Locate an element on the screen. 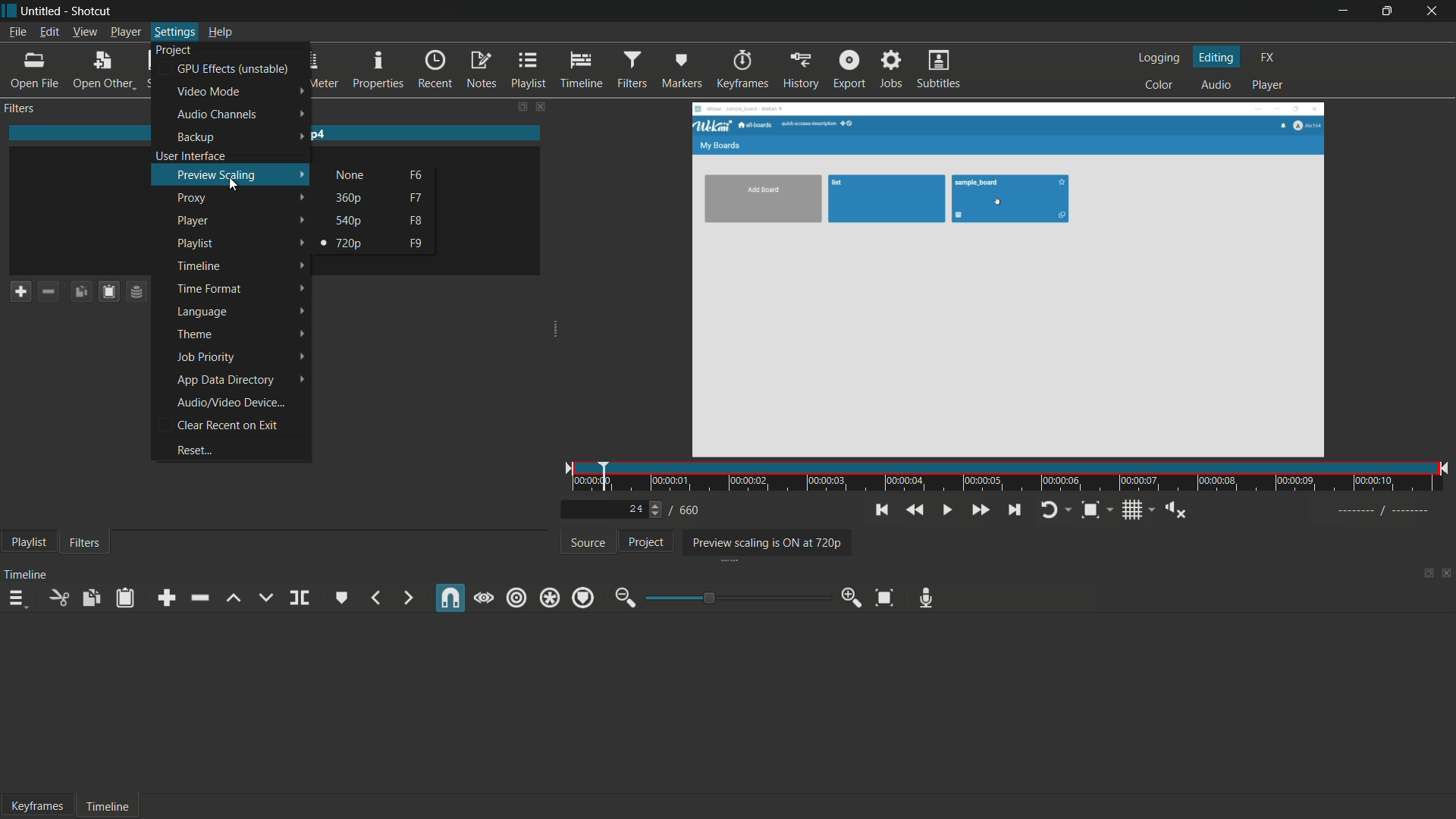 This screenshot has height=819, width=1456. cut is located at coordinates (61, 598).